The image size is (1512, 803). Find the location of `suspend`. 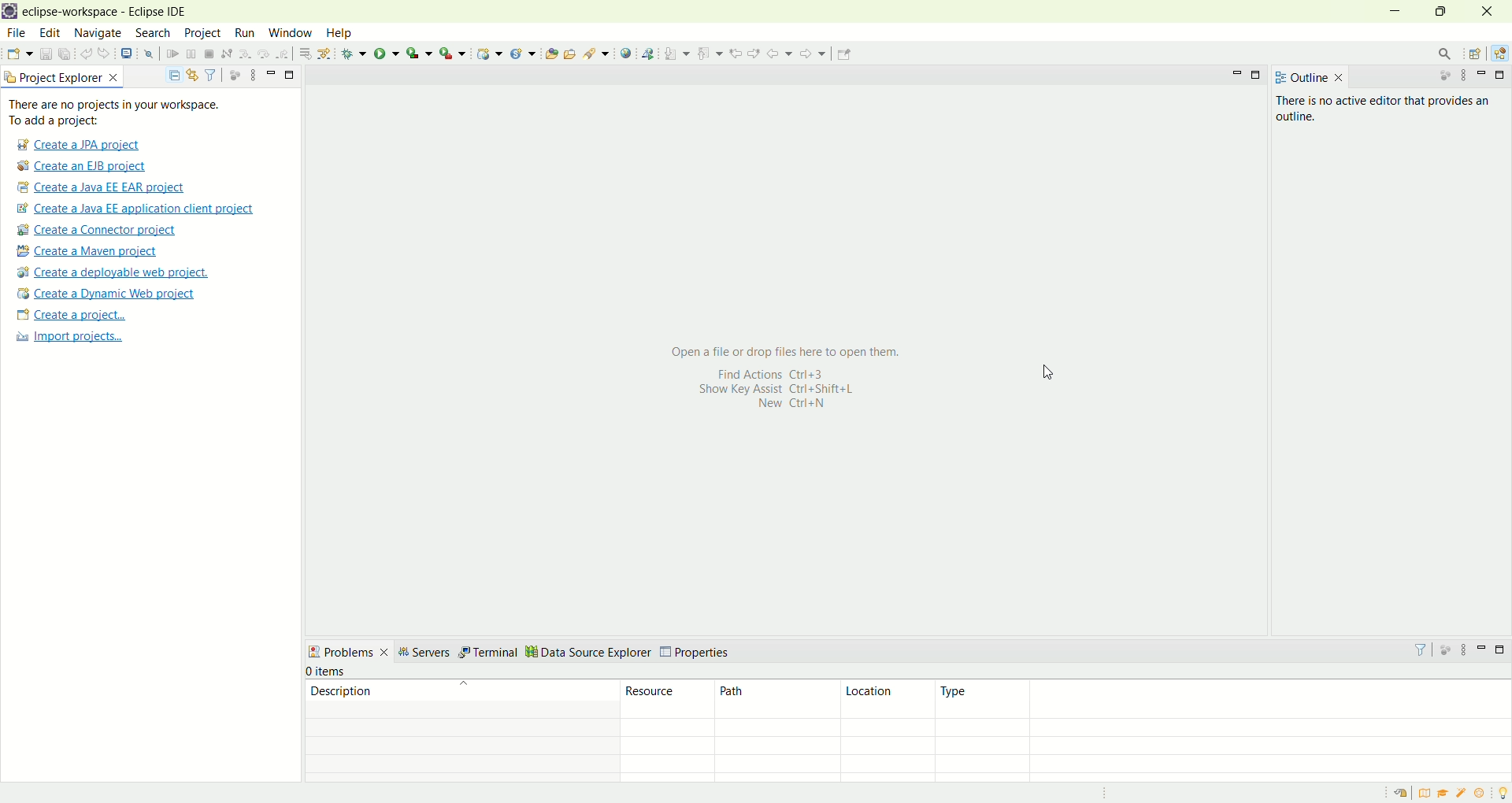

suspend is located at coordinates (190, 54).